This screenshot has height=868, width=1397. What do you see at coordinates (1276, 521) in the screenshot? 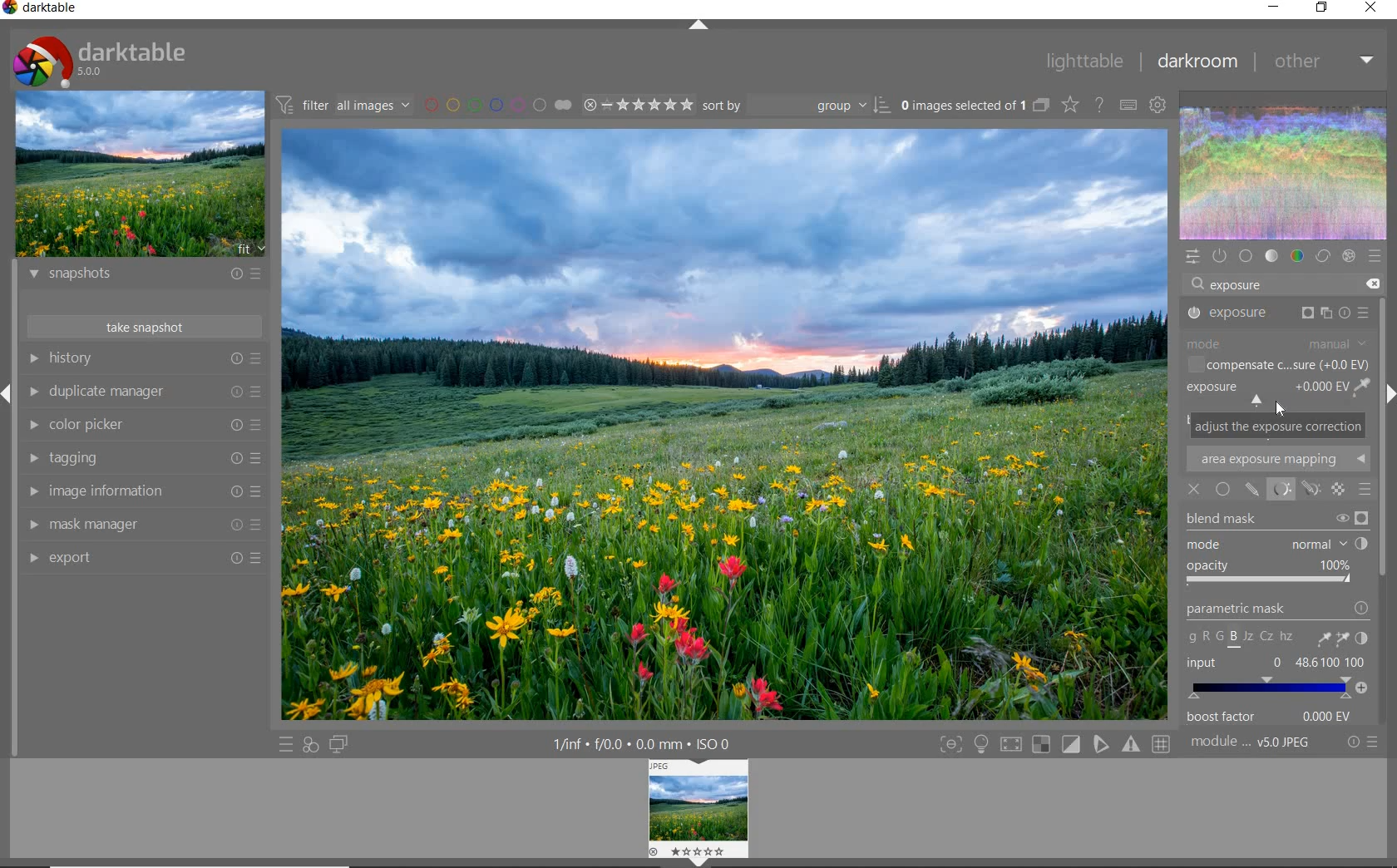
I see `blend mask` at bounding box center [1276, 521].